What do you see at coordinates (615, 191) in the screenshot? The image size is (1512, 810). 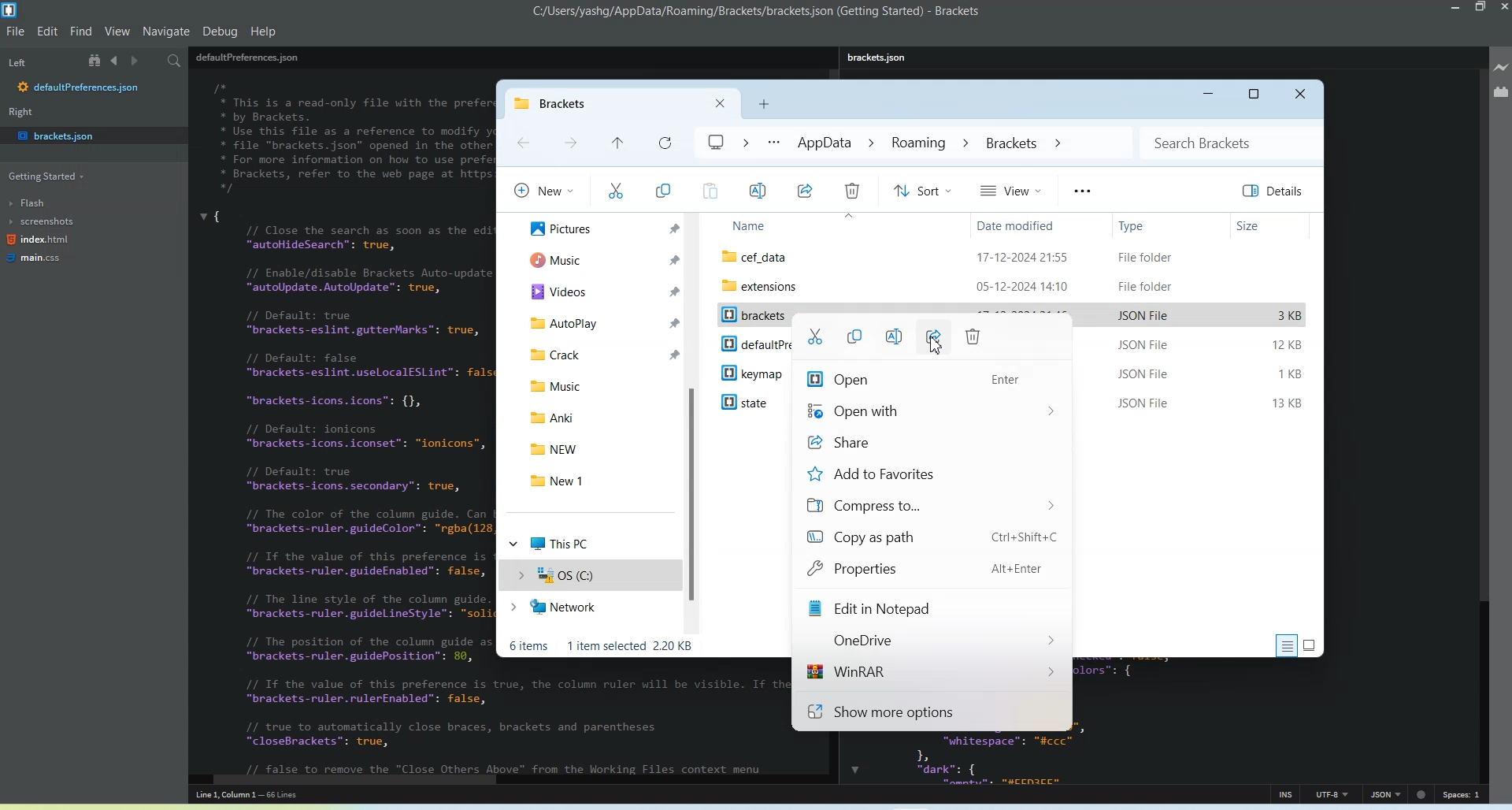 I see `Cut` at bounding box center [615, 191].